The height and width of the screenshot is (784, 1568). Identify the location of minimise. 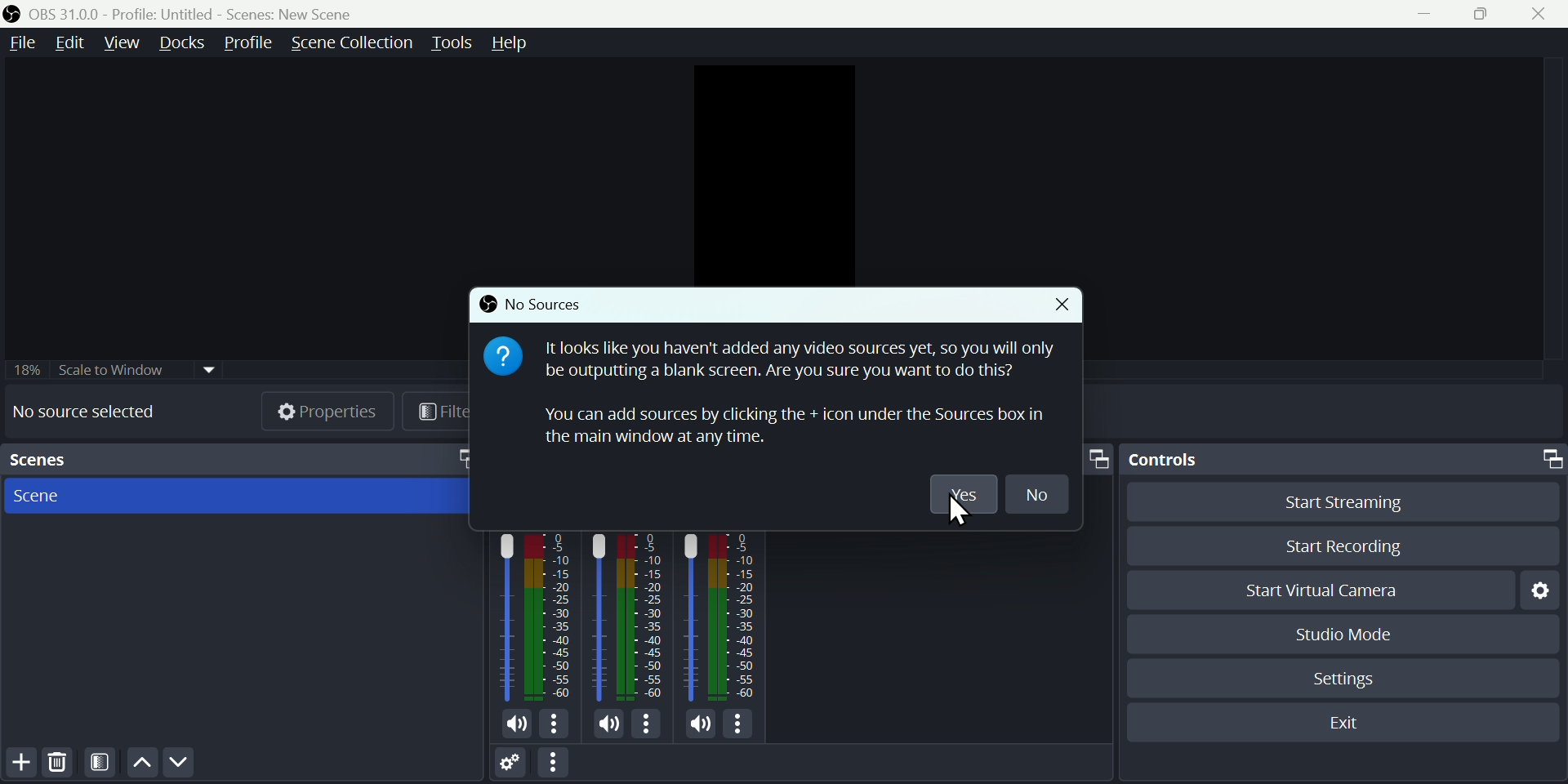
(1427, 15).